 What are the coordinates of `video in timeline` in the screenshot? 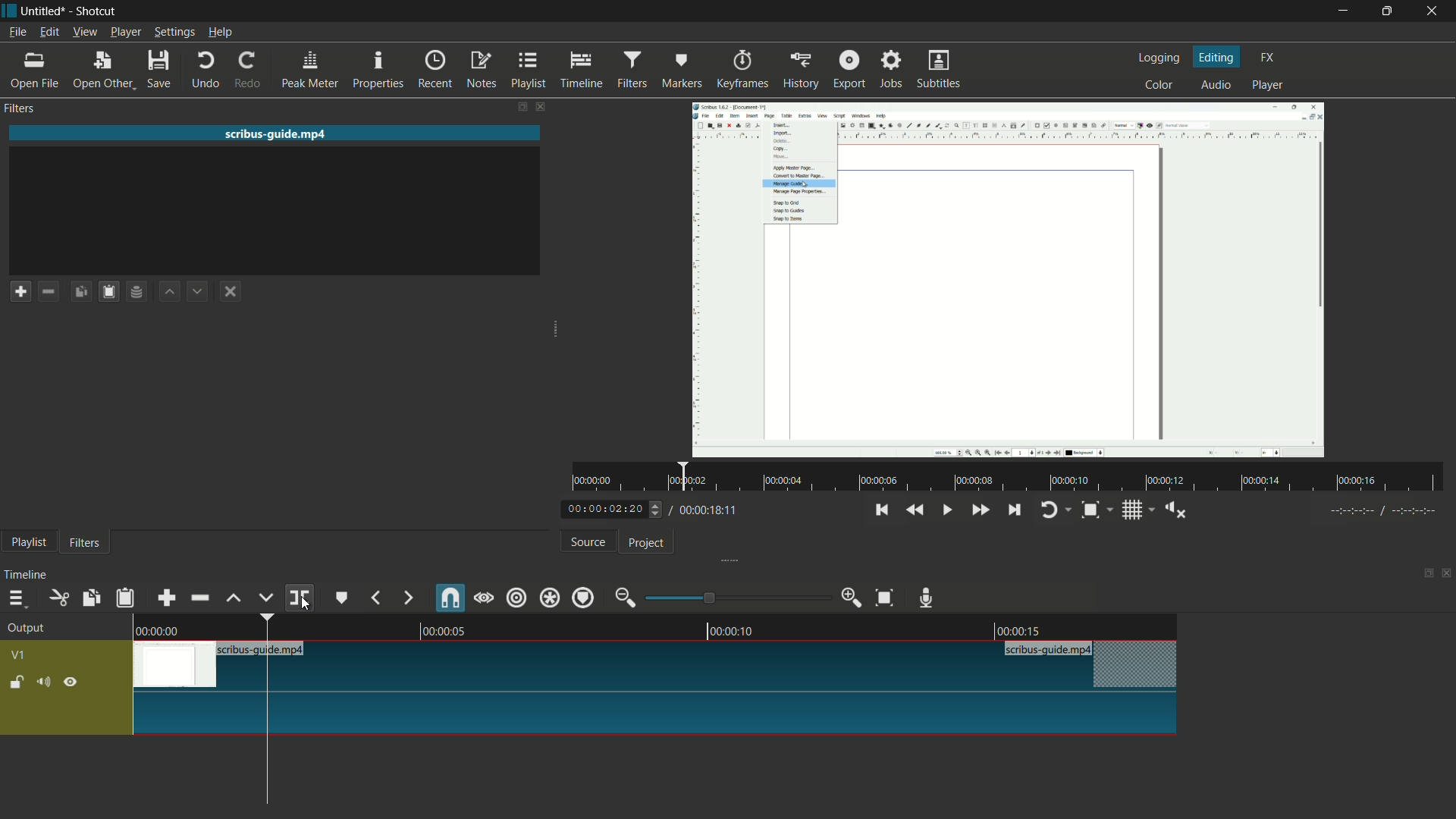 It's located at (654, 685).